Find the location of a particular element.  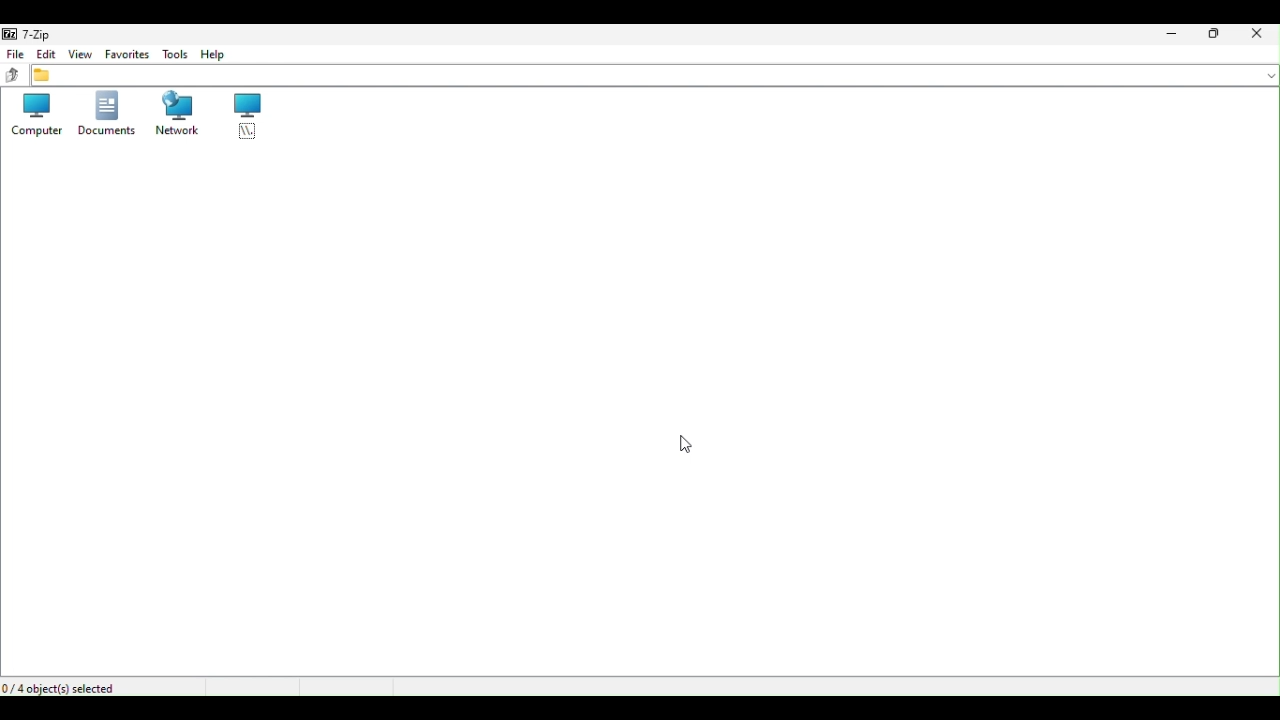

up is located at coordinates (10, 76).